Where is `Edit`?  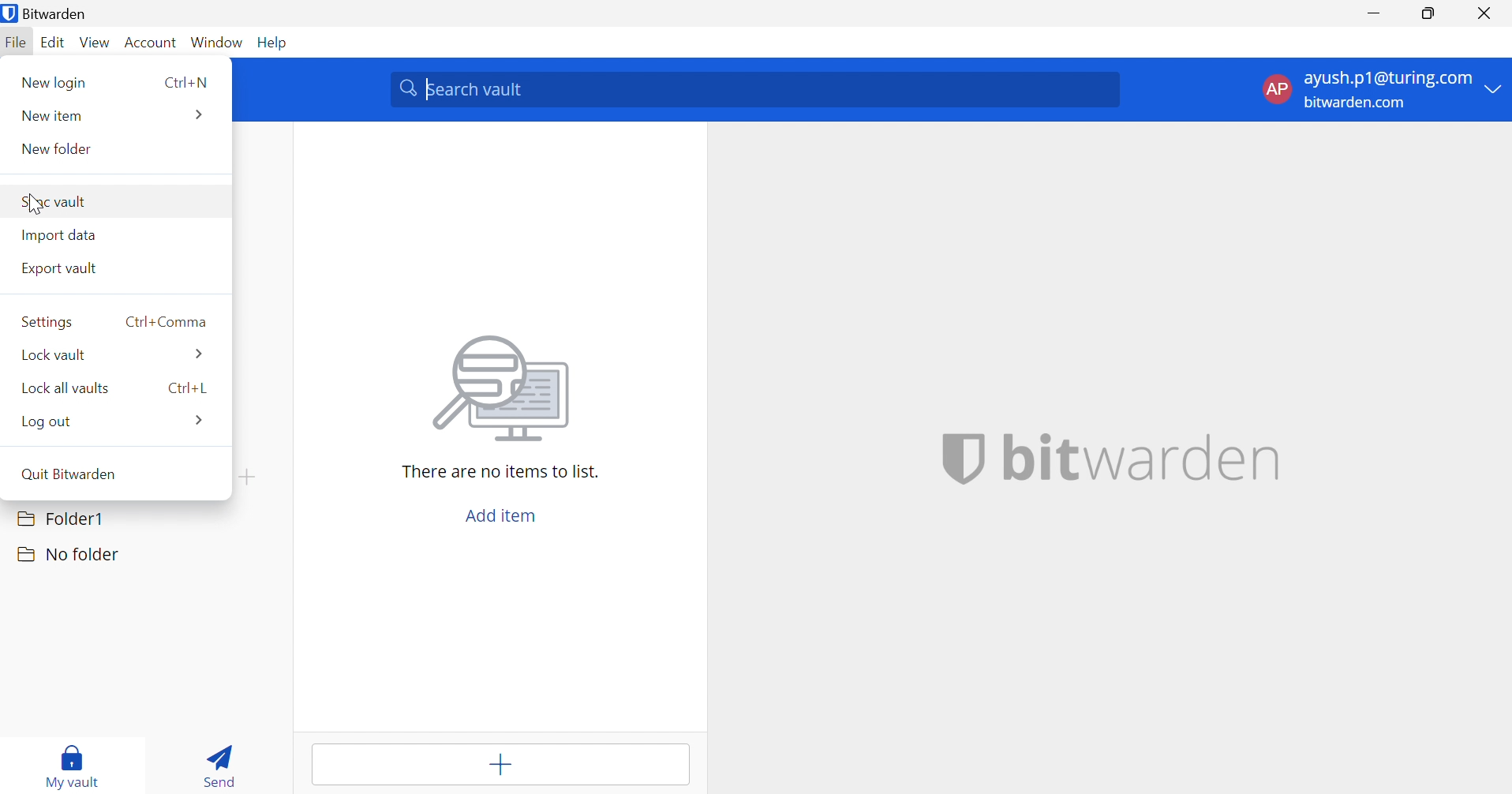 Edit is located at coordinates (54, 43).